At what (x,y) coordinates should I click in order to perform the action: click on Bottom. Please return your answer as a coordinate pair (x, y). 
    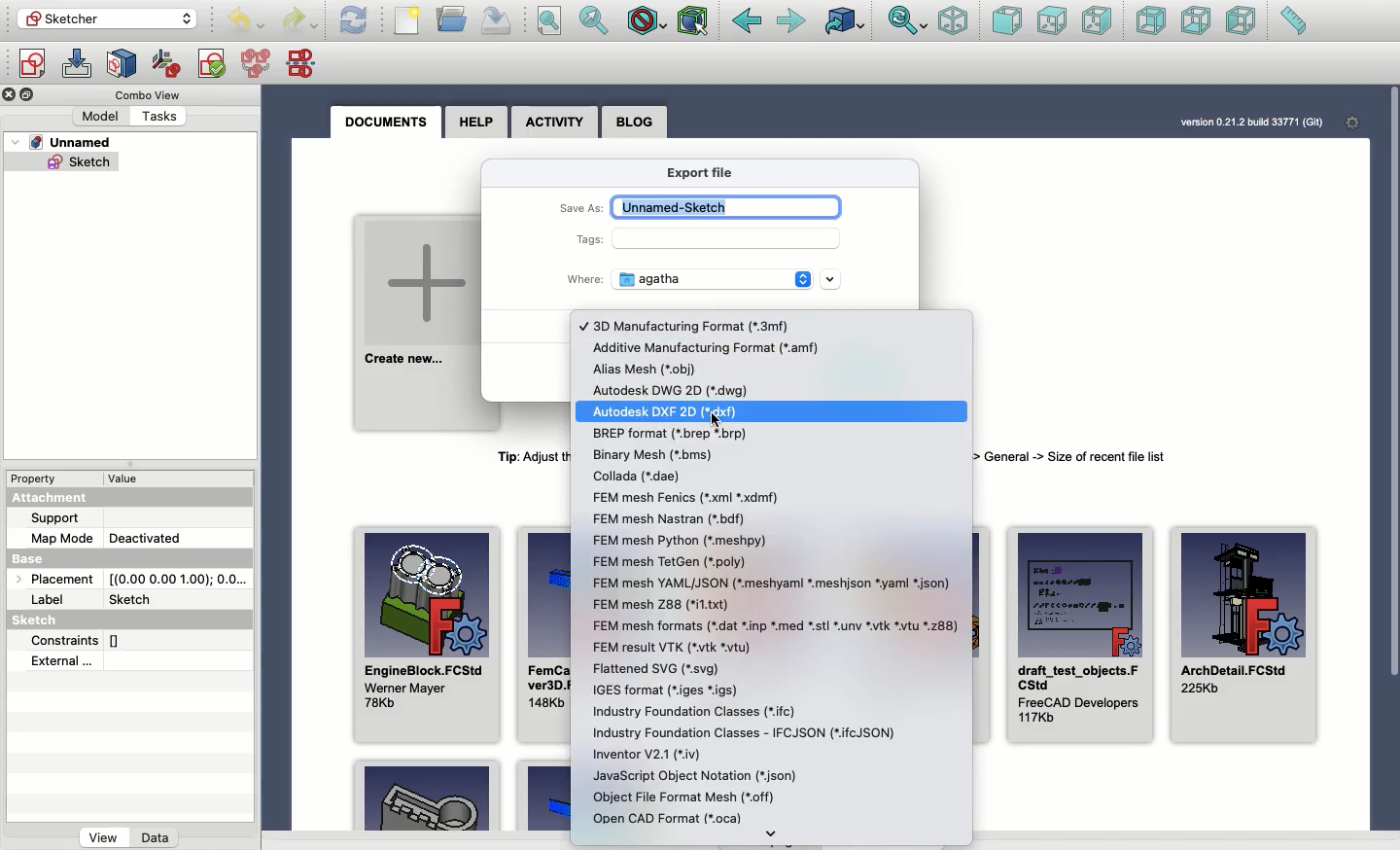
    Looking at the image, I should click on (1197, 21).